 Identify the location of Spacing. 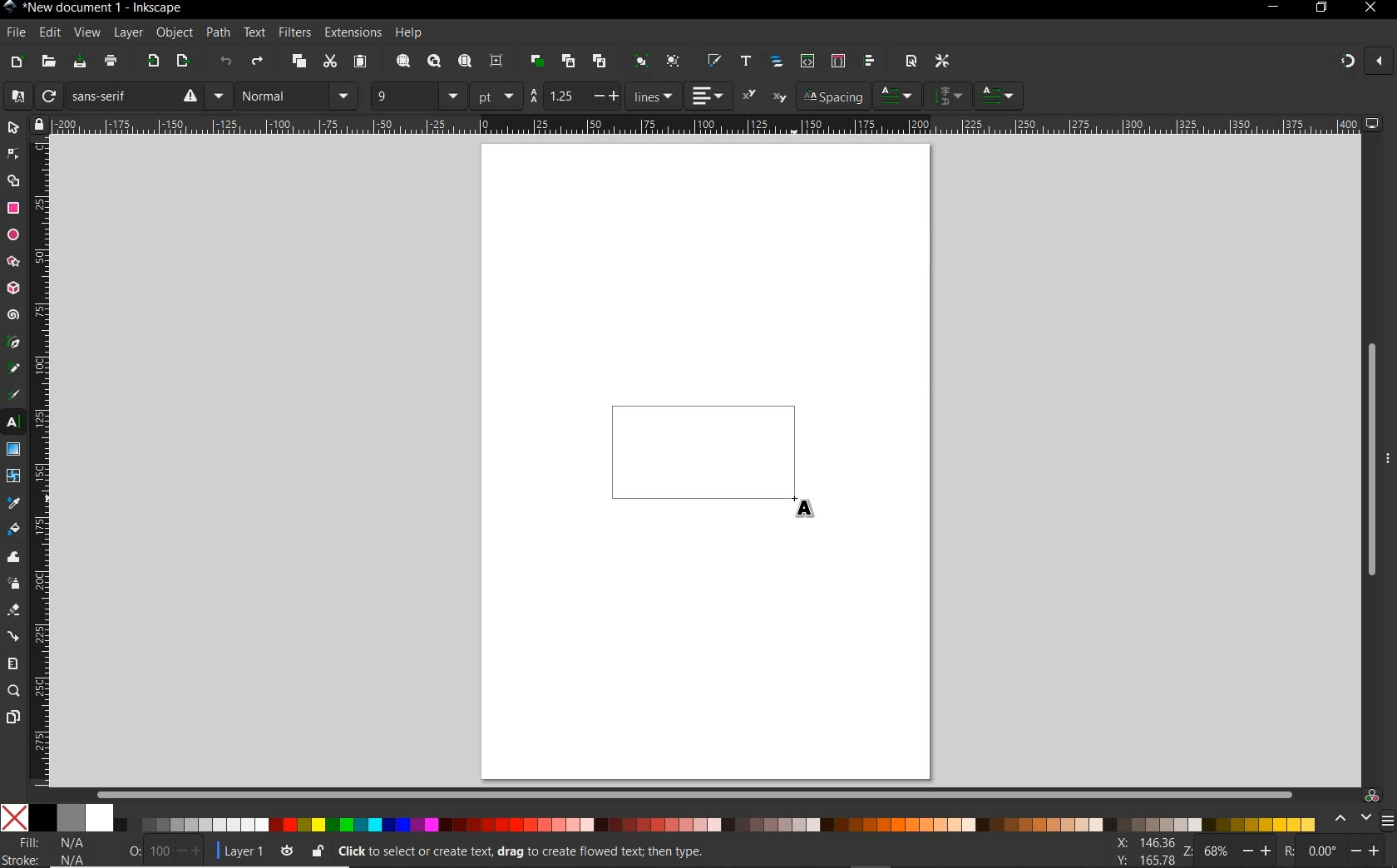
(832, 96).